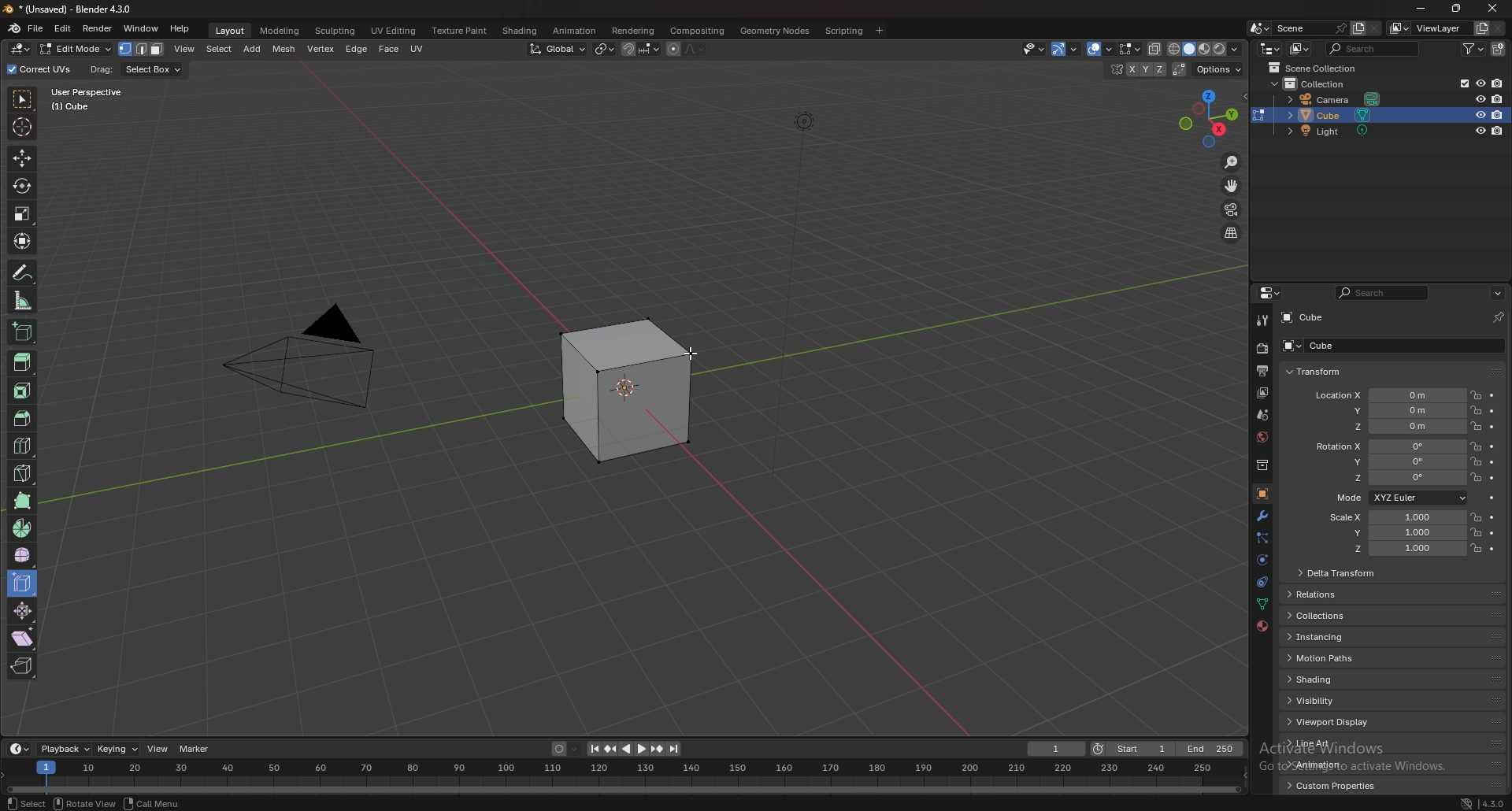  I want to click on cursor, so click(22, 127).